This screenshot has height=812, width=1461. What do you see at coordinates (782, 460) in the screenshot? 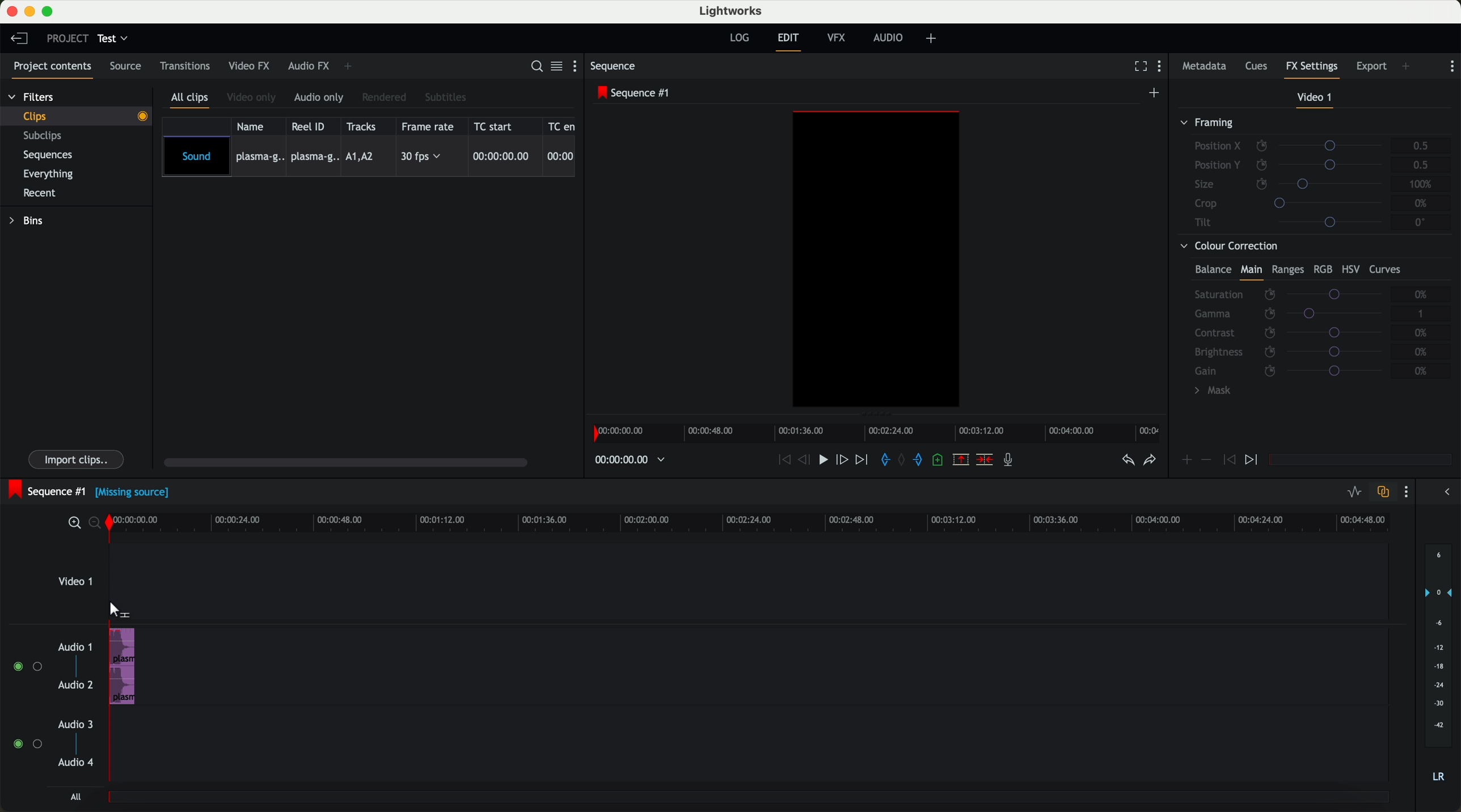
I see `move backward` at bounding box center [782, 460].